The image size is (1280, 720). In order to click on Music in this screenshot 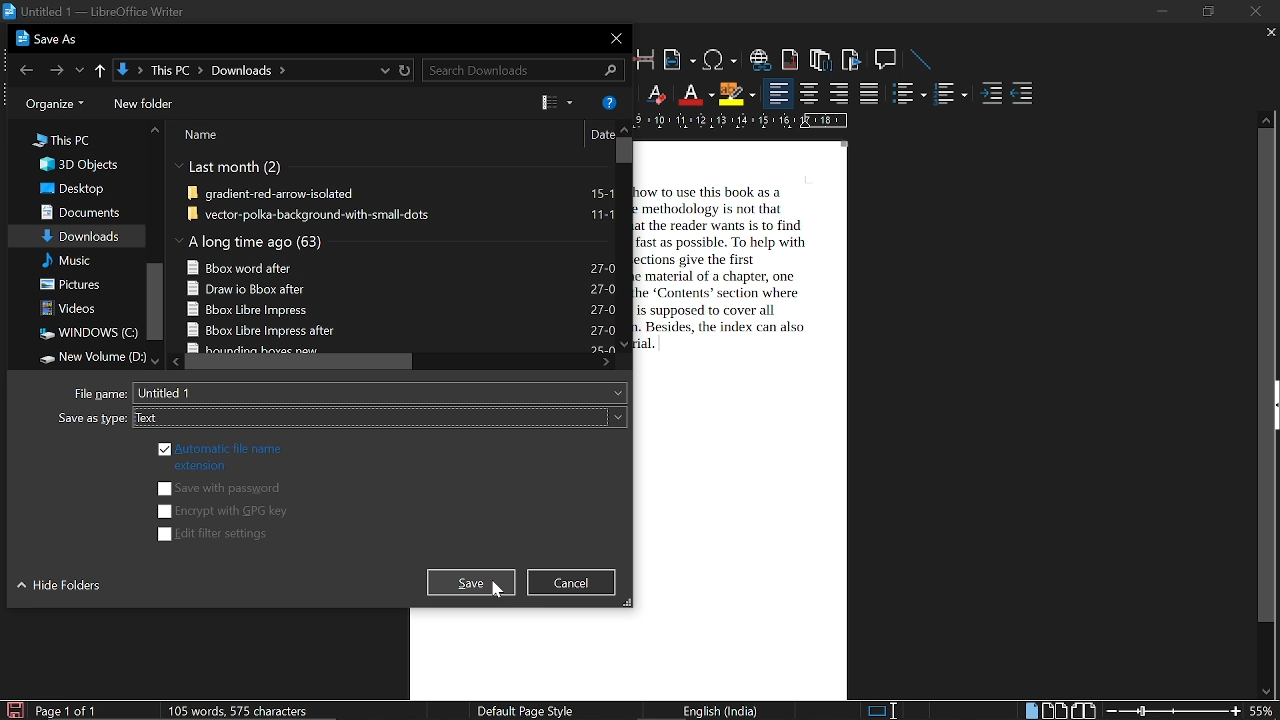, I will do `click(67, 261)`.